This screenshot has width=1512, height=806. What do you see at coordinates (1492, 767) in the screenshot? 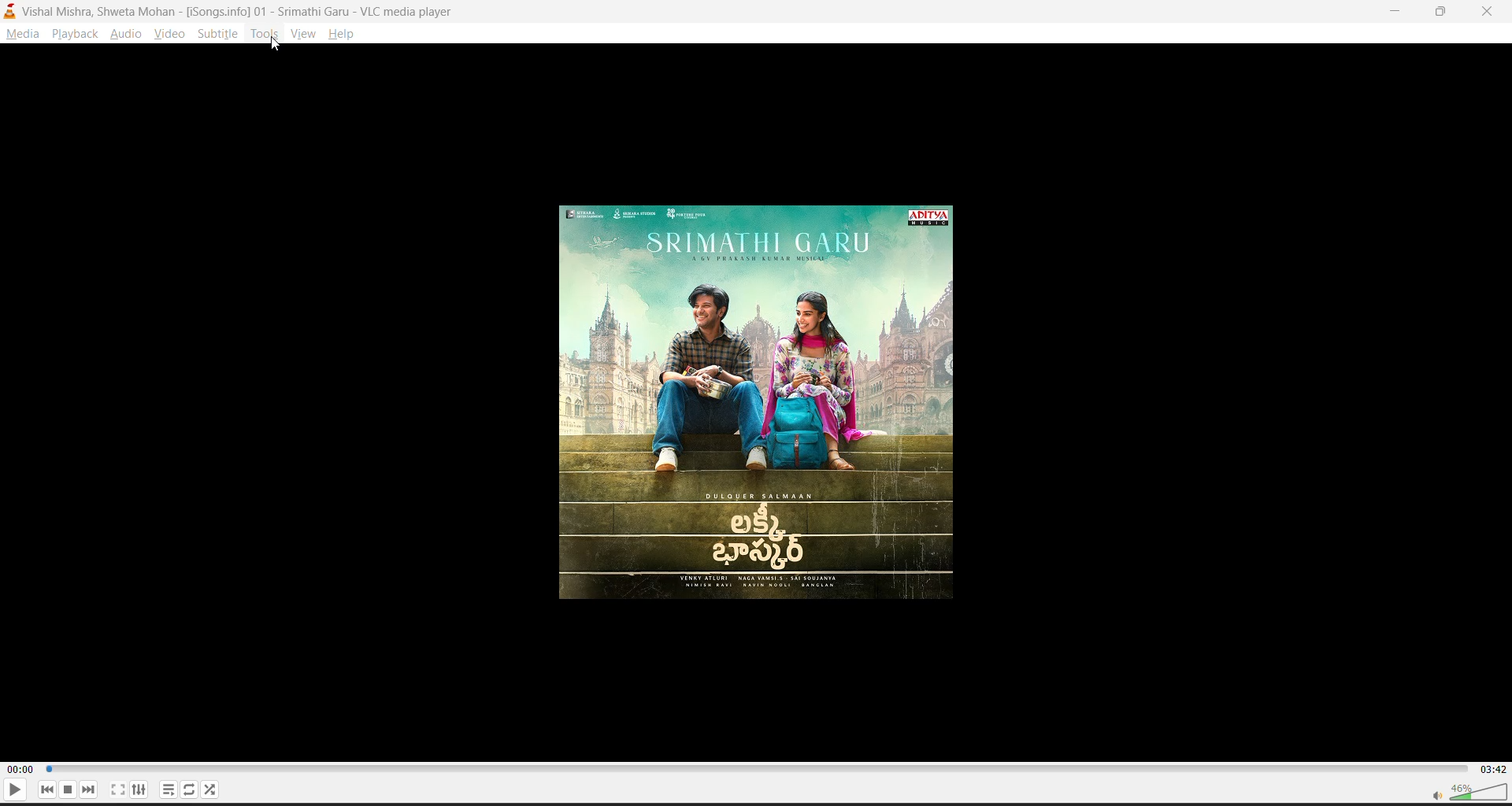
I see `03:42` at bounding box center [1492, 767].